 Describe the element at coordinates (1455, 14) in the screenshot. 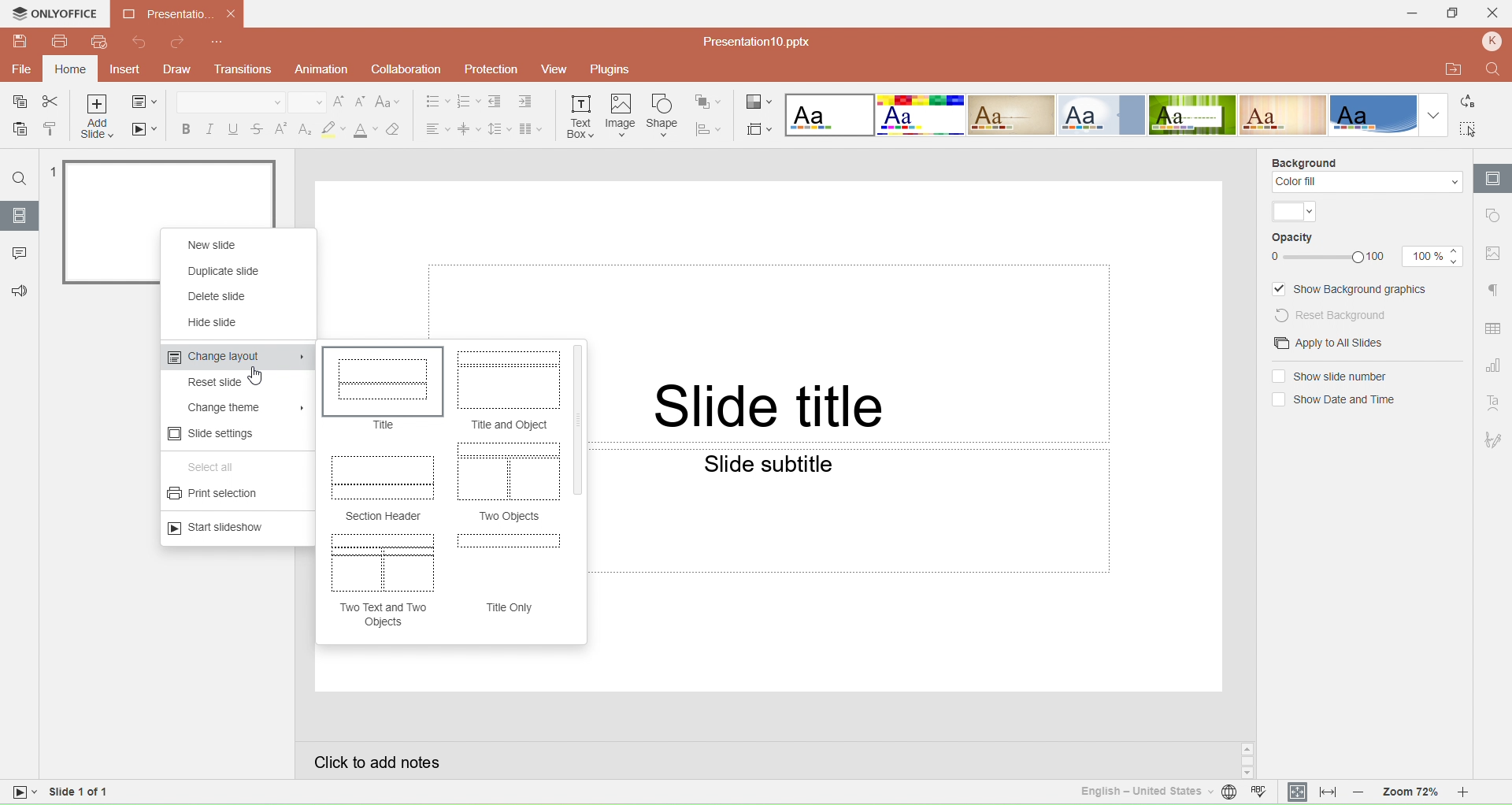

I see `Maximize` at that location.